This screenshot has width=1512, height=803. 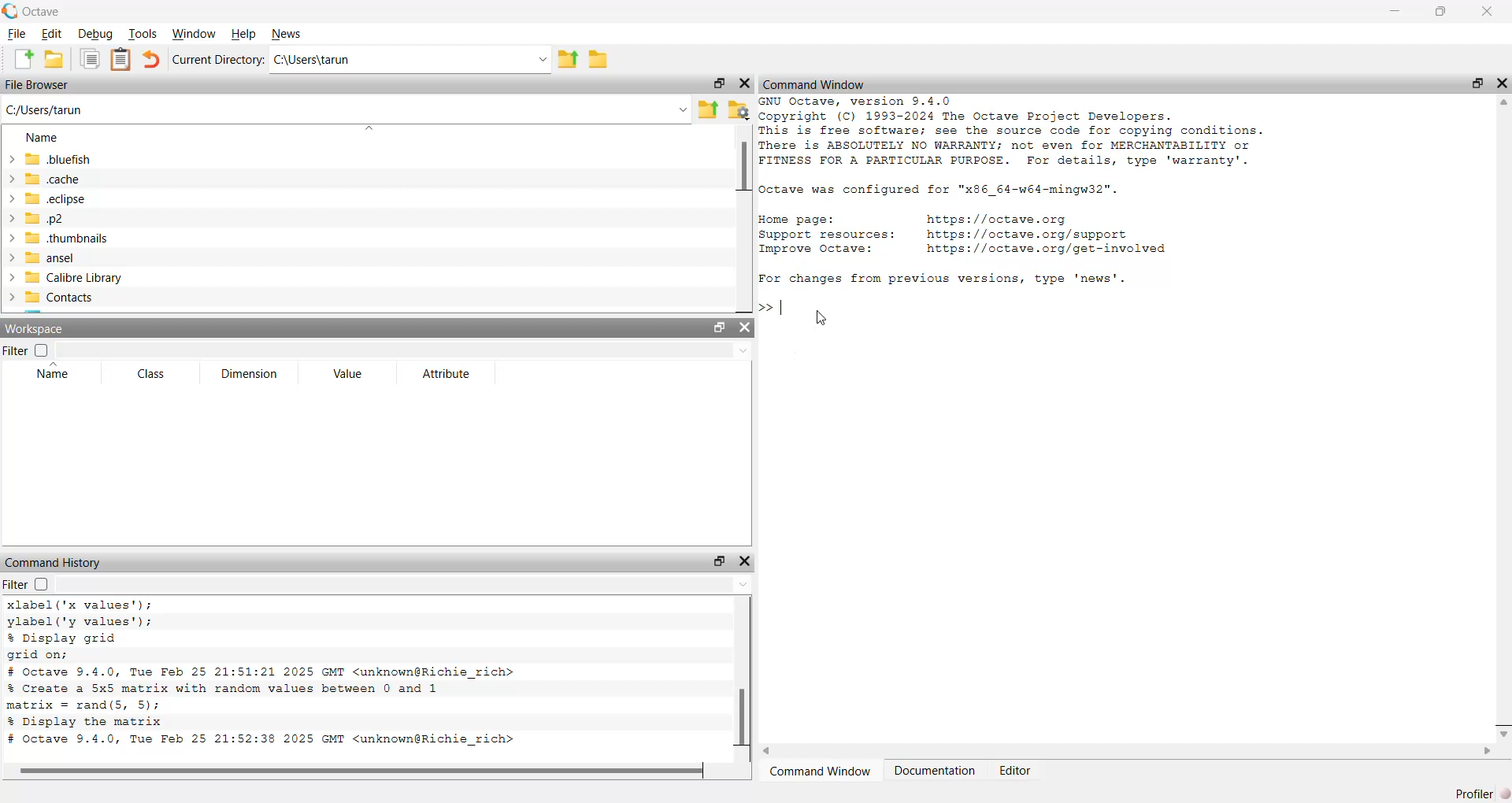 I want to click on scroll bar, so click(x=741, y=218).